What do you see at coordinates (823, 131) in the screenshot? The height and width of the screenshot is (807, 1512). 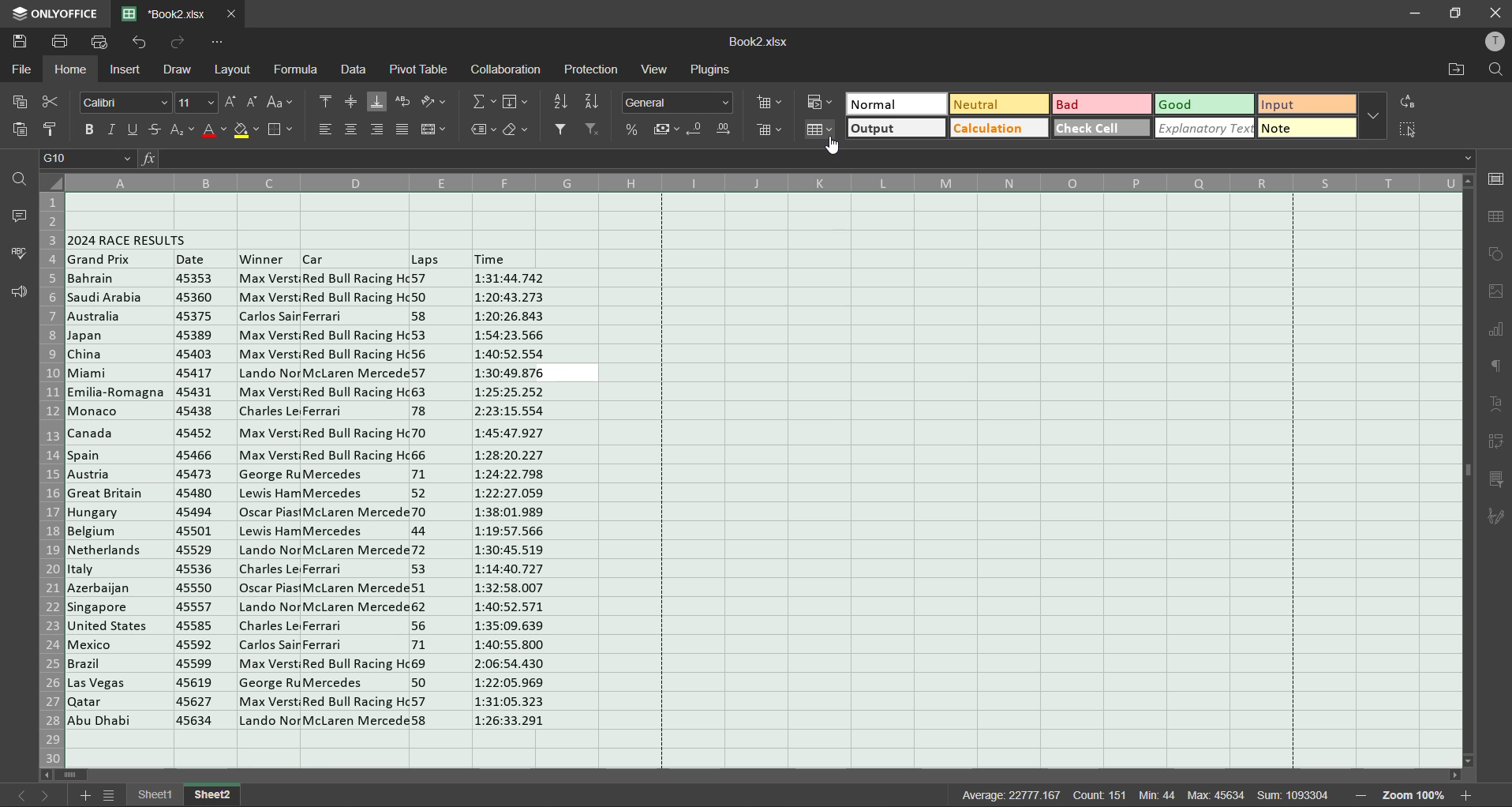 I see `format as table` at bounding box center [823, 131].